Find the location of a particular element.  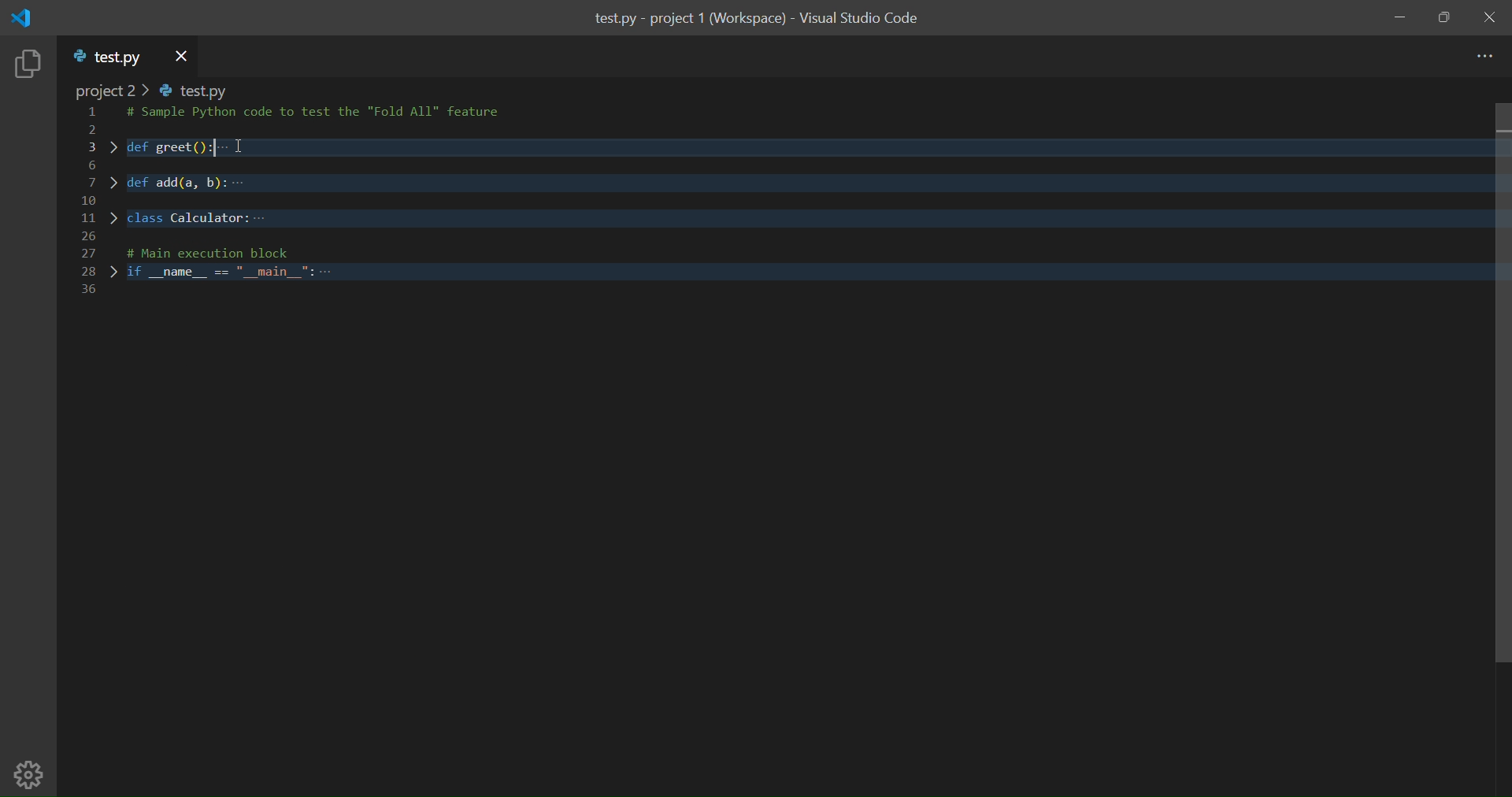

cursor is located at coordinates (236, 142).